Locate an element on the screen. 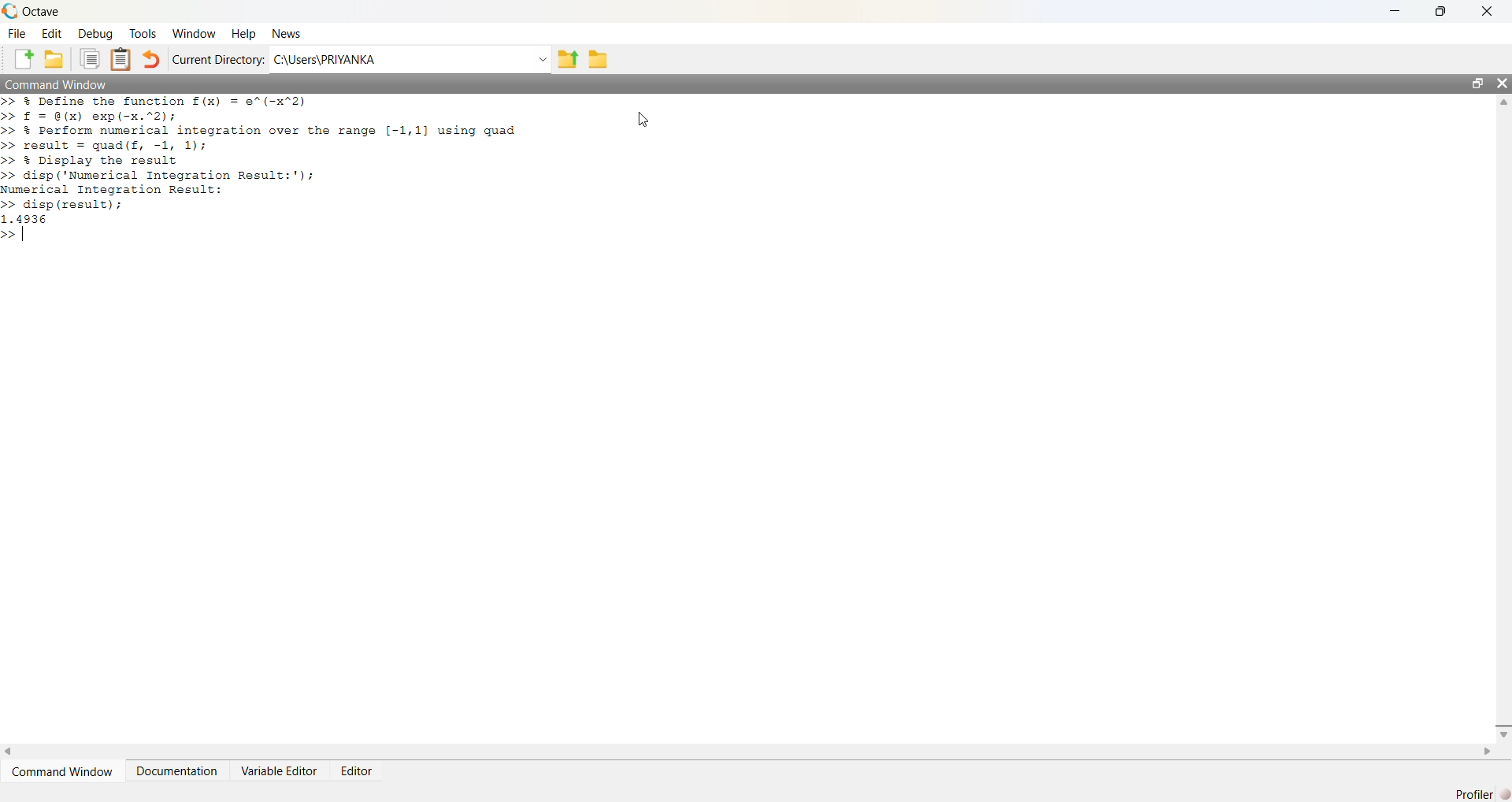 The width and height of the screenshot is (1512, 802). C:\Users\PRIYANKA is located at coordinates (396, 59).